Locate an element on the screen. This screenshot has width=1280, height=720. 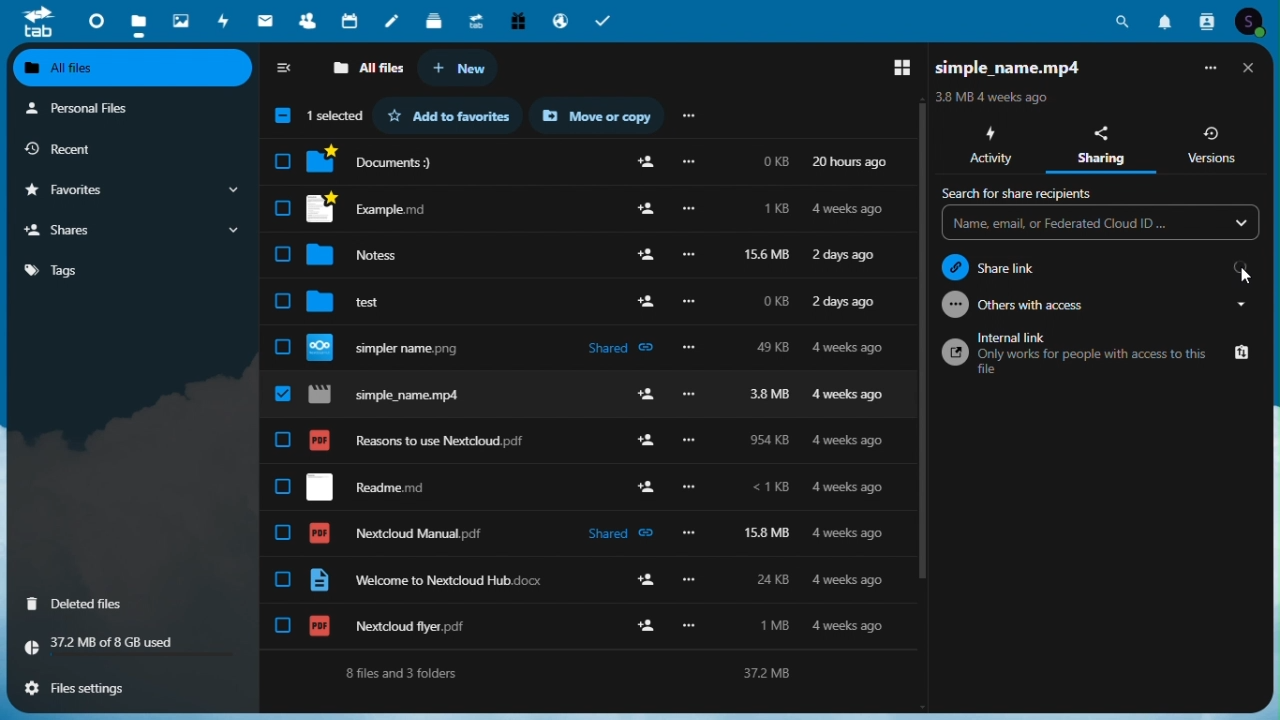
Activity is located at coordinates (225, 20).